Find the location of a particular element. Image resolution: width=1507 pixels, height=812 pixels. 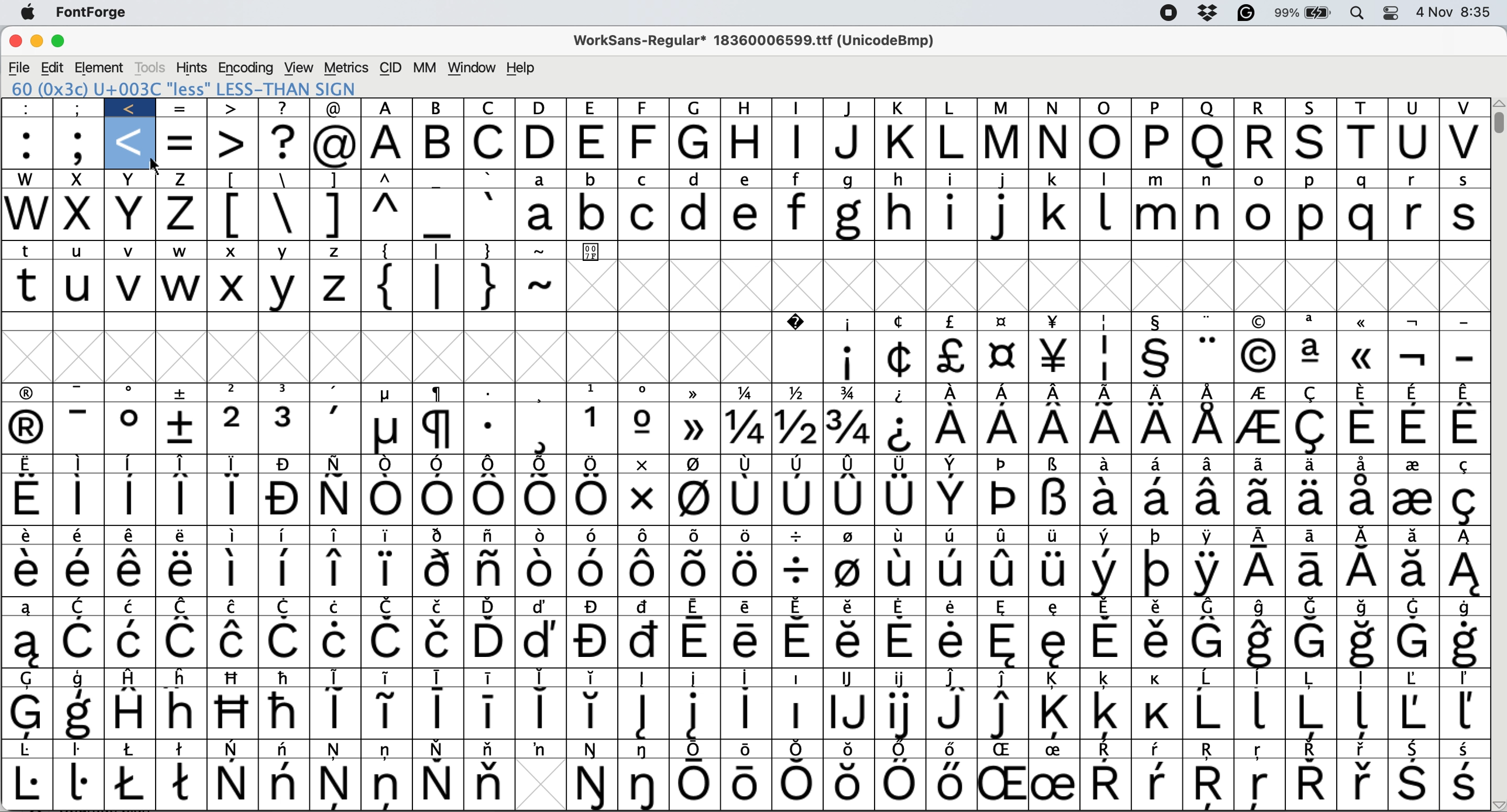

Symbol is located at coordinates (795, 393).